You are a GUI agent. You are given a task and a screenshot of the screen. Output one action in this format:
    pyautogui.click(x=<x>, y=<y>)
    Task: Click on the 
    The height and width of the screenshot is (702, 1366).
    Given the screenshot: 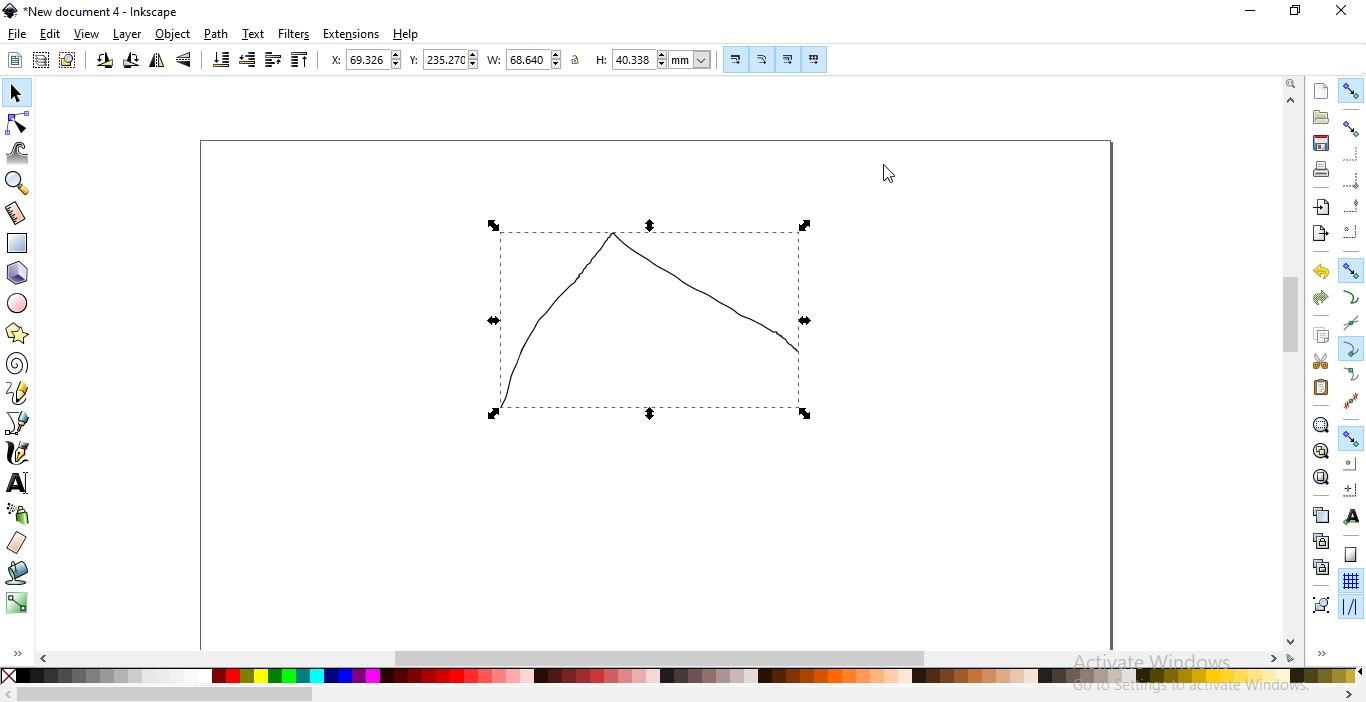 What is the action you would take?
    pyautogui.click(x=763, y=59)
    